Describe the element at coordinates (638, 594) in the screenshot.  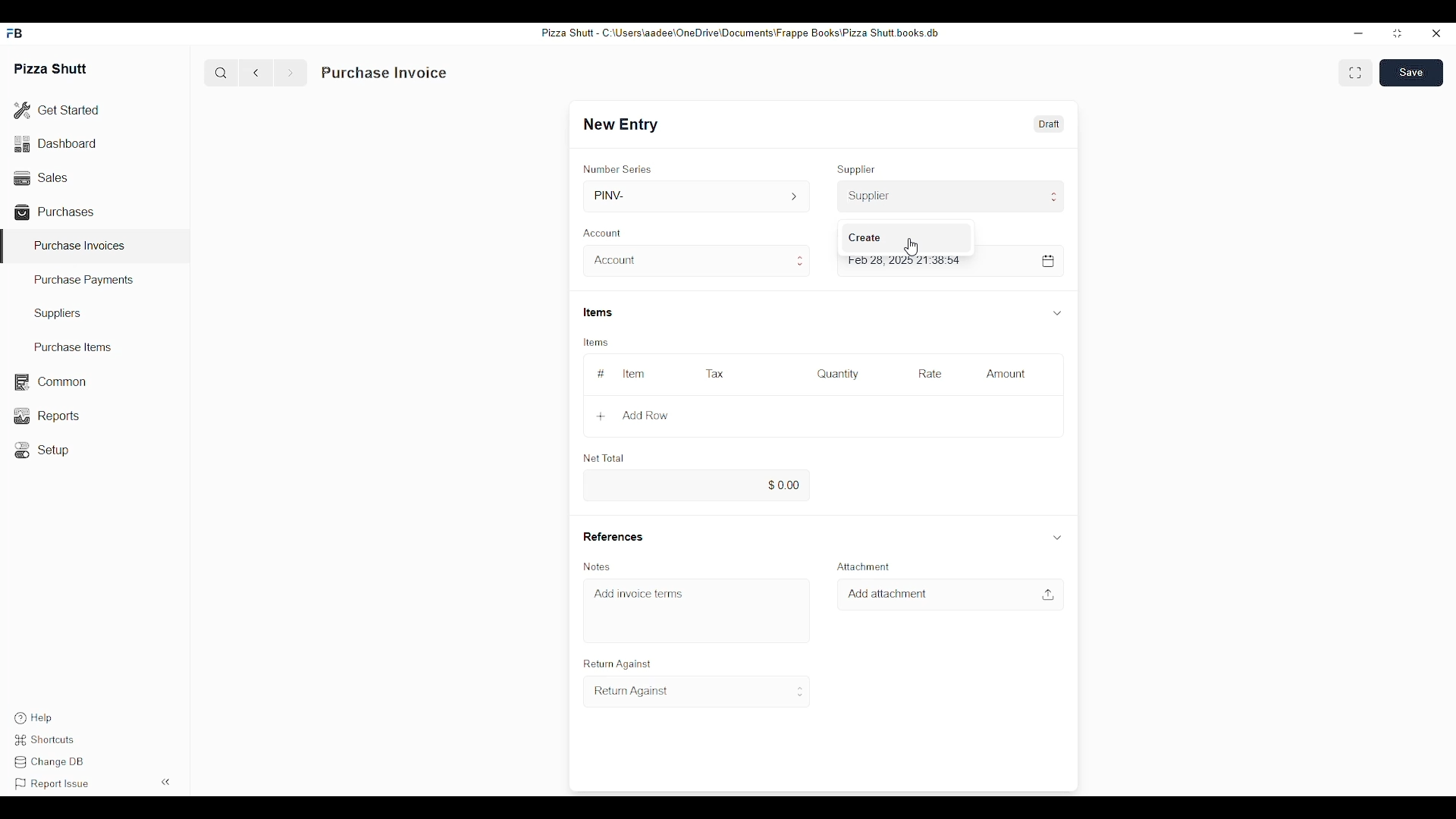
I see `Add invoice terms` at that location.